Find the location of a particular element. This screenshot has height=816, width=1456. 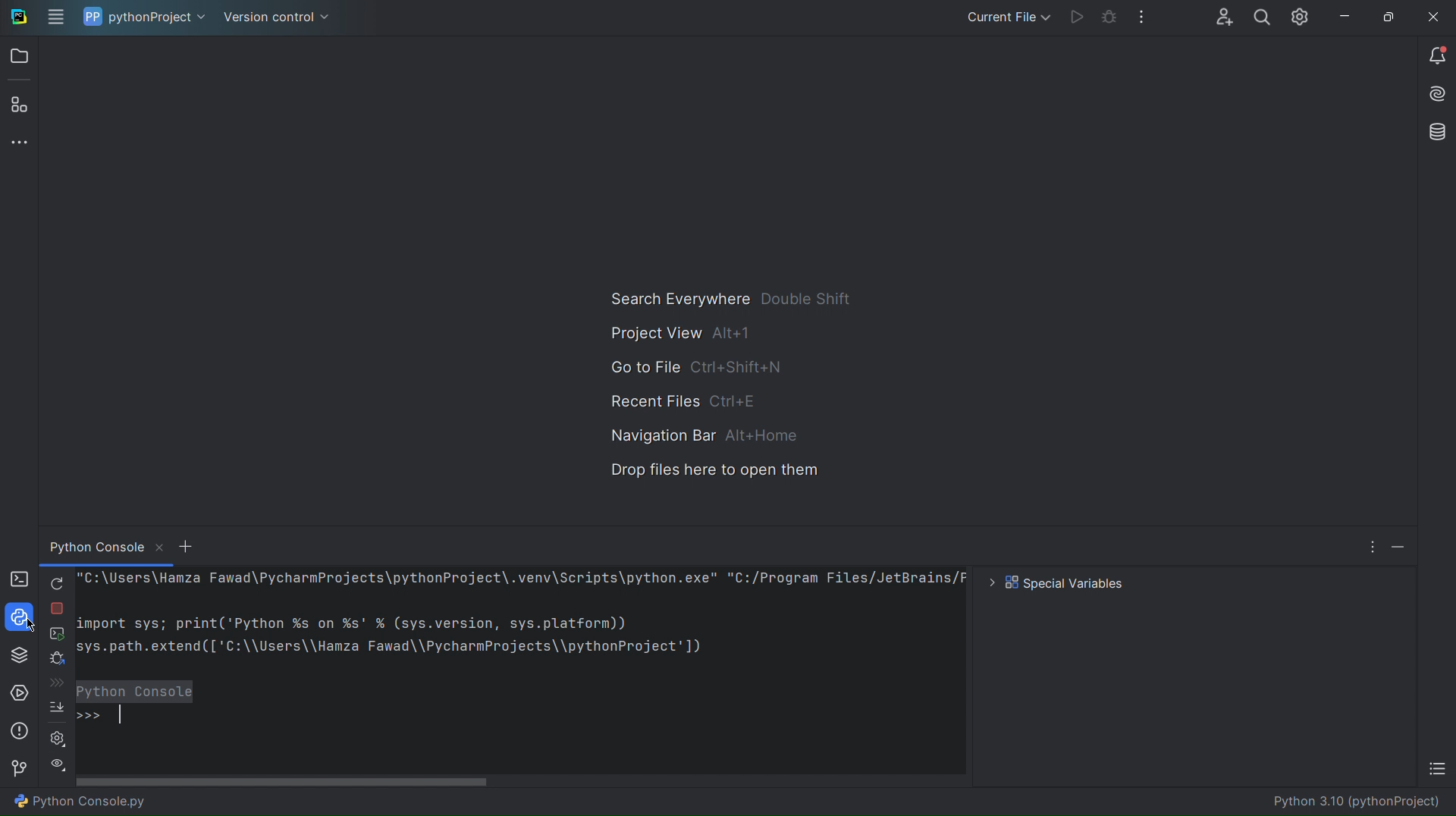

Python 3.10 (pythonProject) is located at coordinates (1352, 804).